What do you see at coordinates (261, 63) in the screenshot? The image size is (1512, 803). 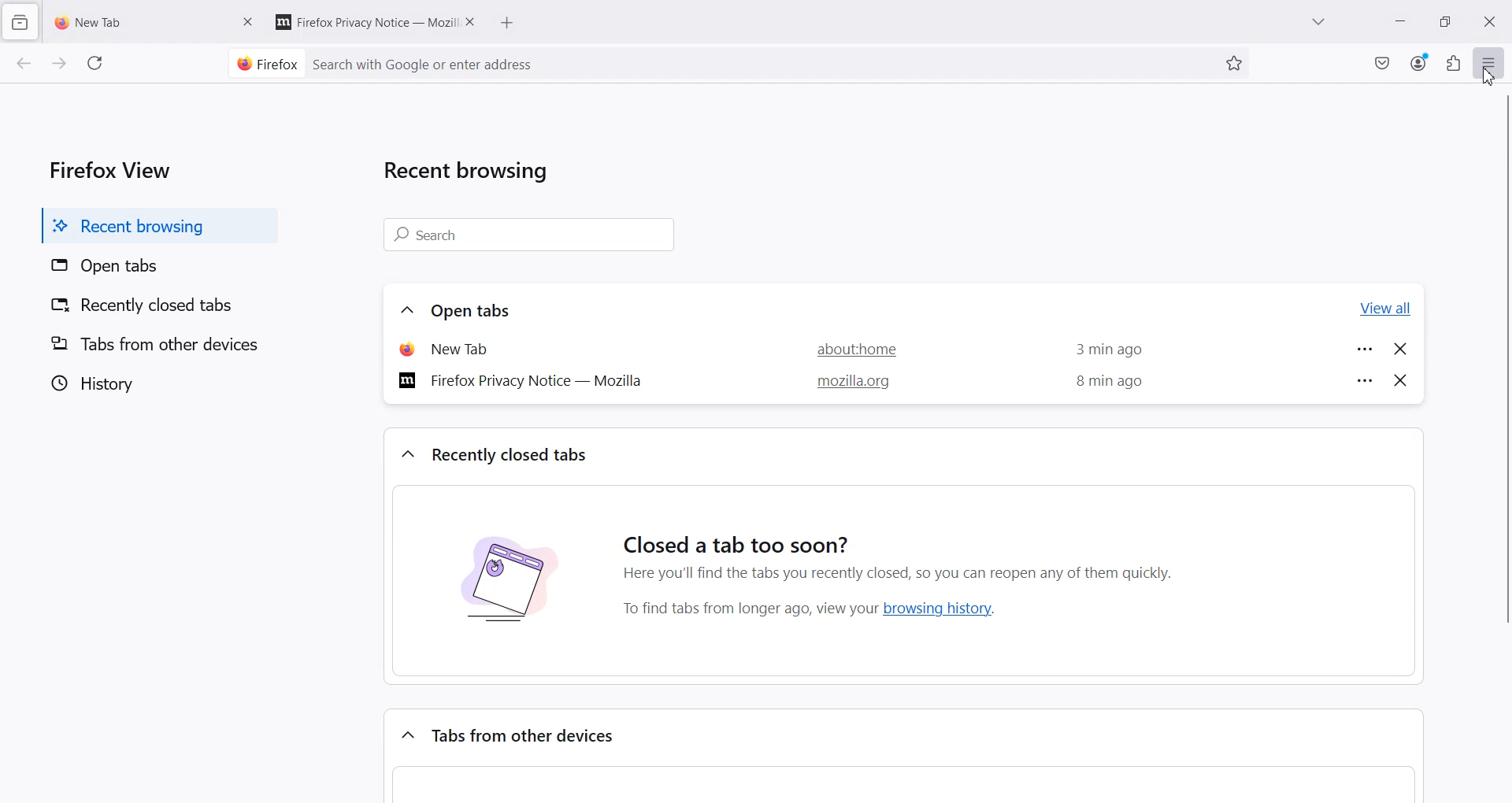 I see `firefox Logo ` at bounding box center [261, 63].